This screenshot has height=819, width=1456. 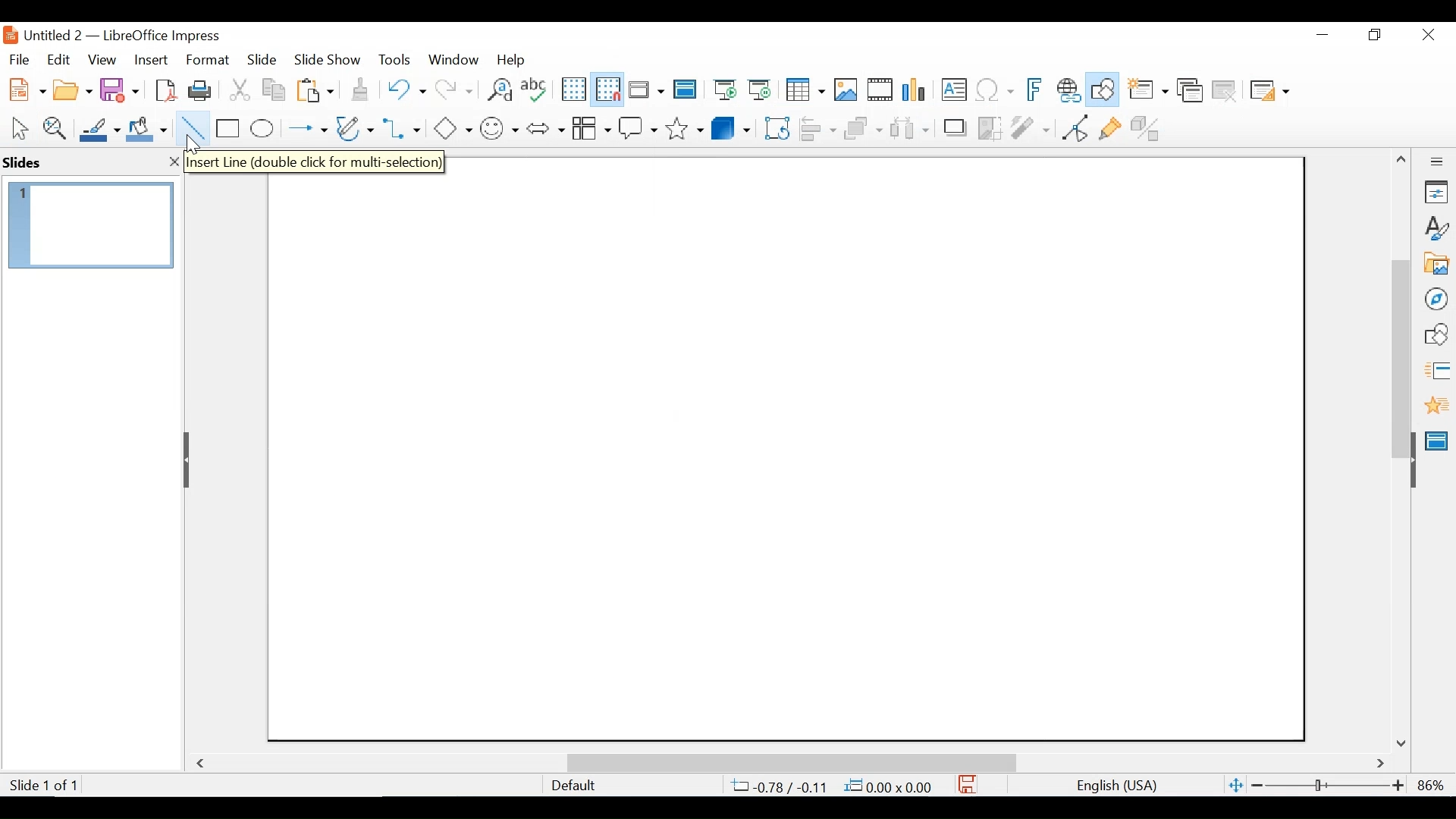 What do you see at coordinates (1190, 91) in the screenshot?
I see `Duplicate slide` at bounding box center [1190, 91].